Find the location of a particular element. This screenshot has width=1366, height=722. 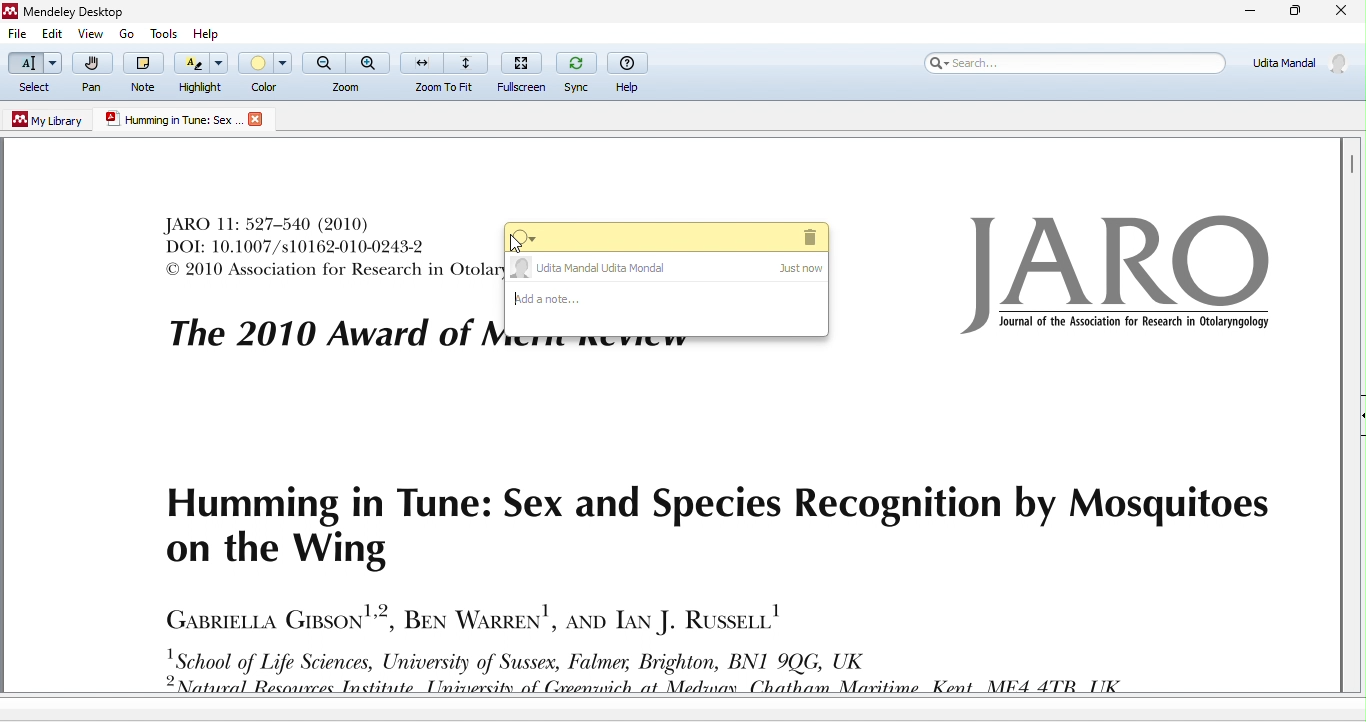

vertical scroll bar is located at coordinates (1352, 166).